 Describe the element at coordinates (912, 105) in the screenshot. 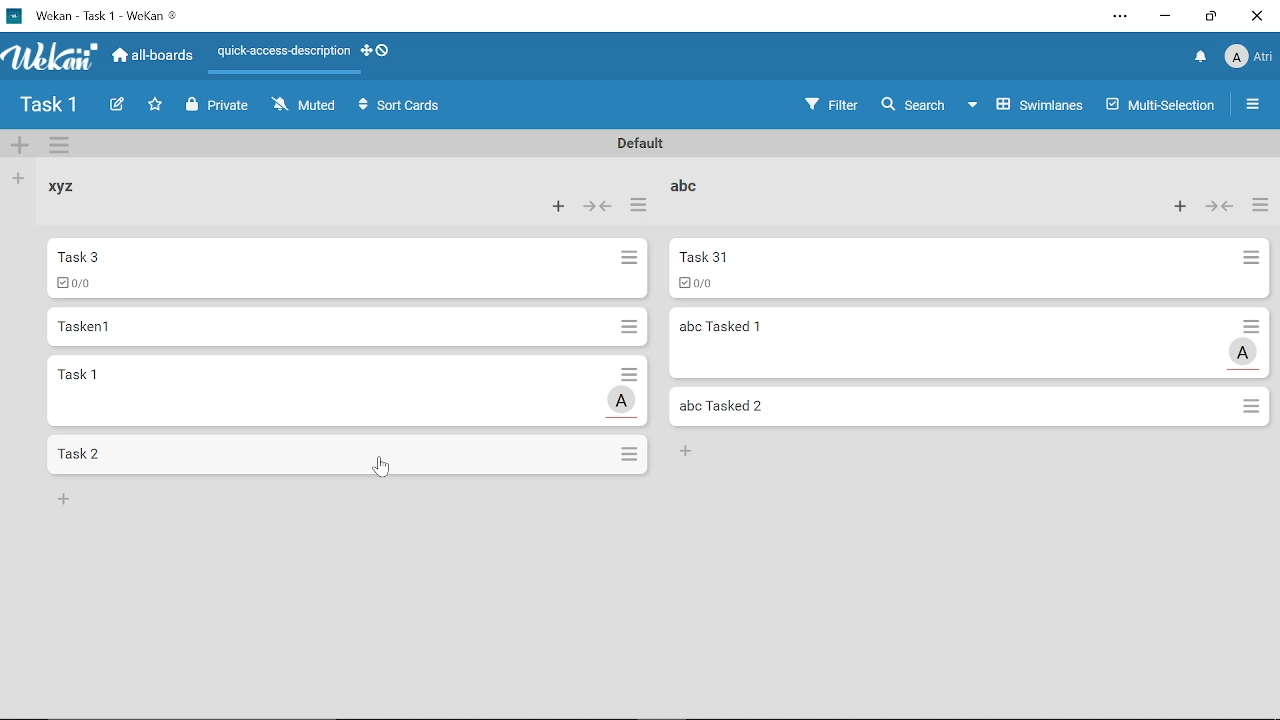

I see `Search` at that location.